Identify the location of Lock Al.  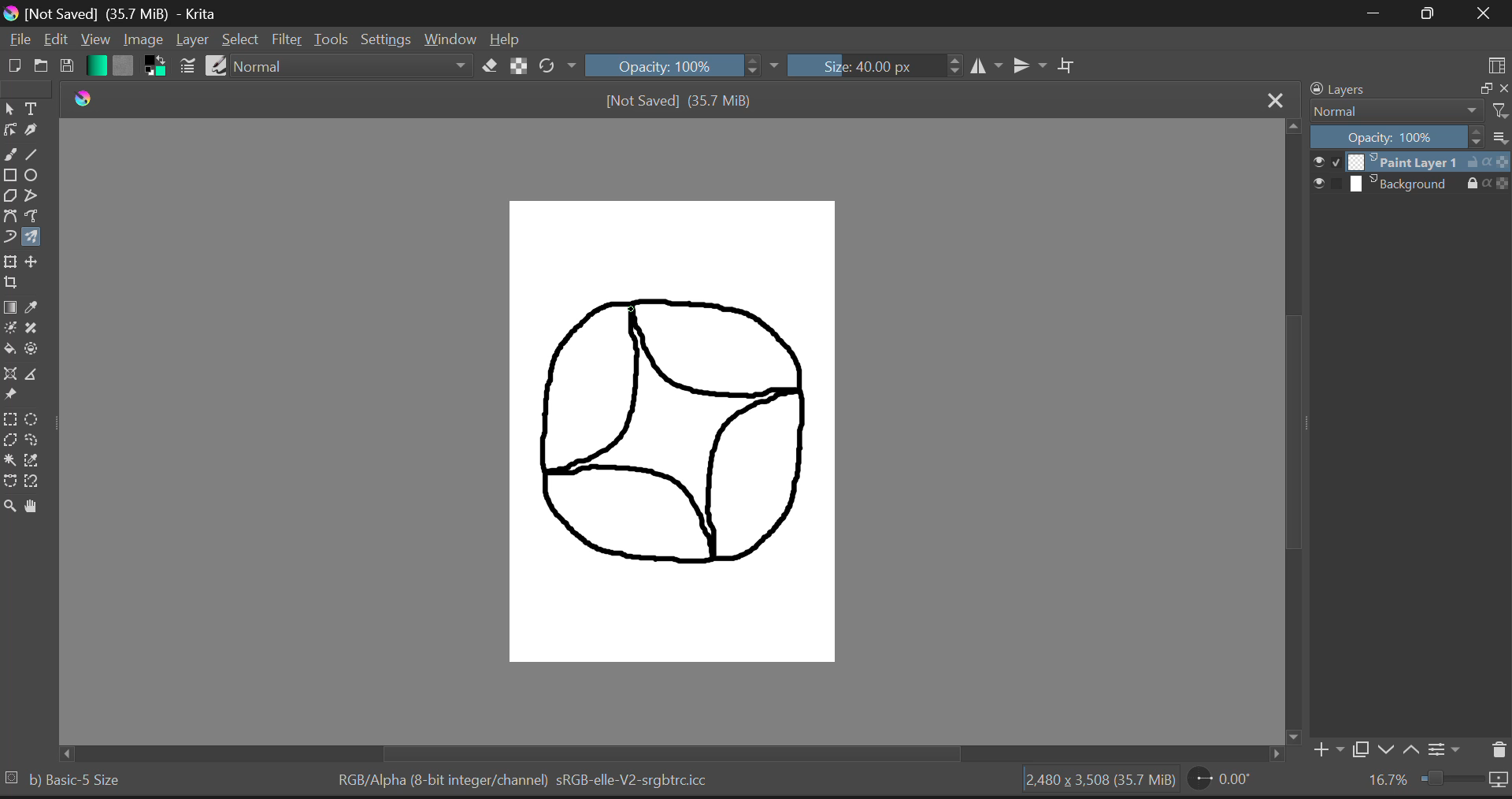
(517, 66).